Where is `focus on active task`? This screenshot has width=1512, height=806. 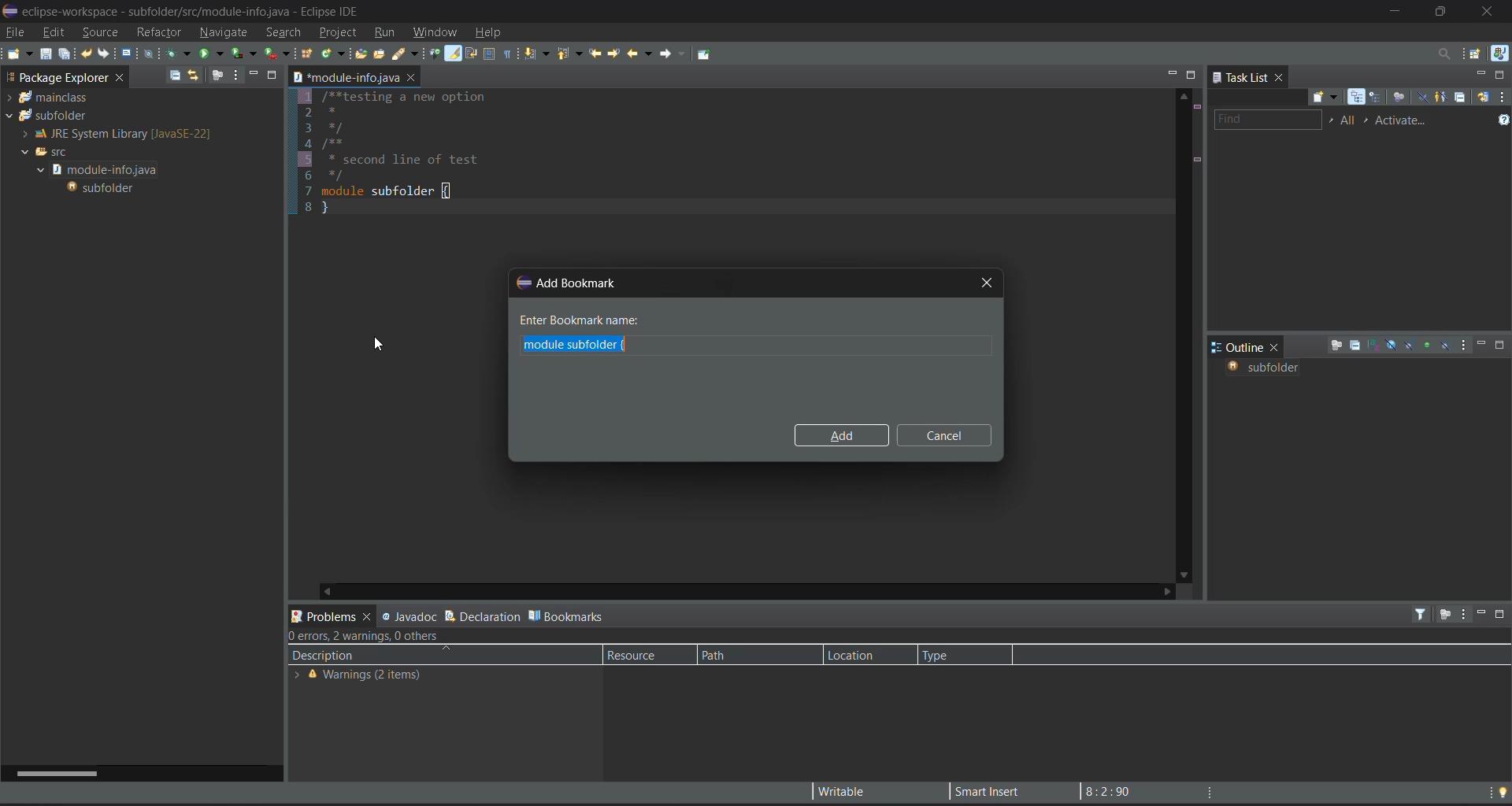
focus on active task is located at coordinates (1336, 346).